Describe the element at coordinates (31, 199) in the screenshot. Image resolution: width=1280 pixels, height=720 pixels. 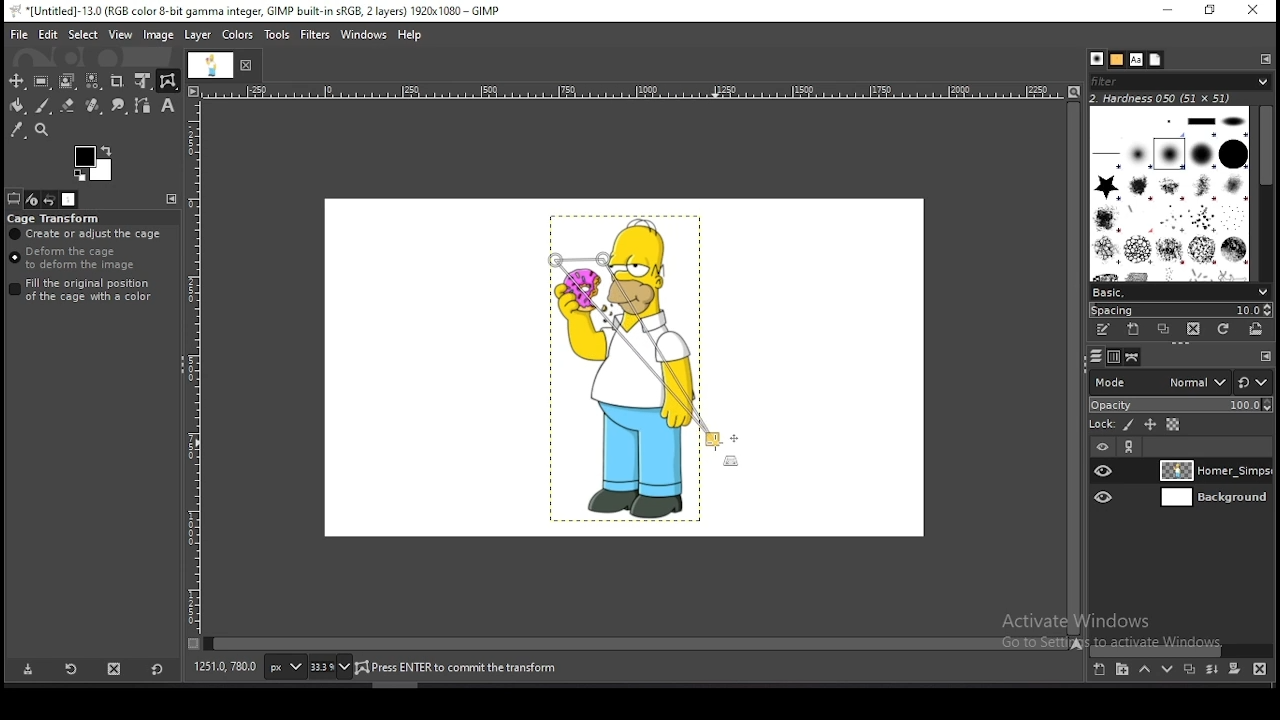
I see `device status` at that location.